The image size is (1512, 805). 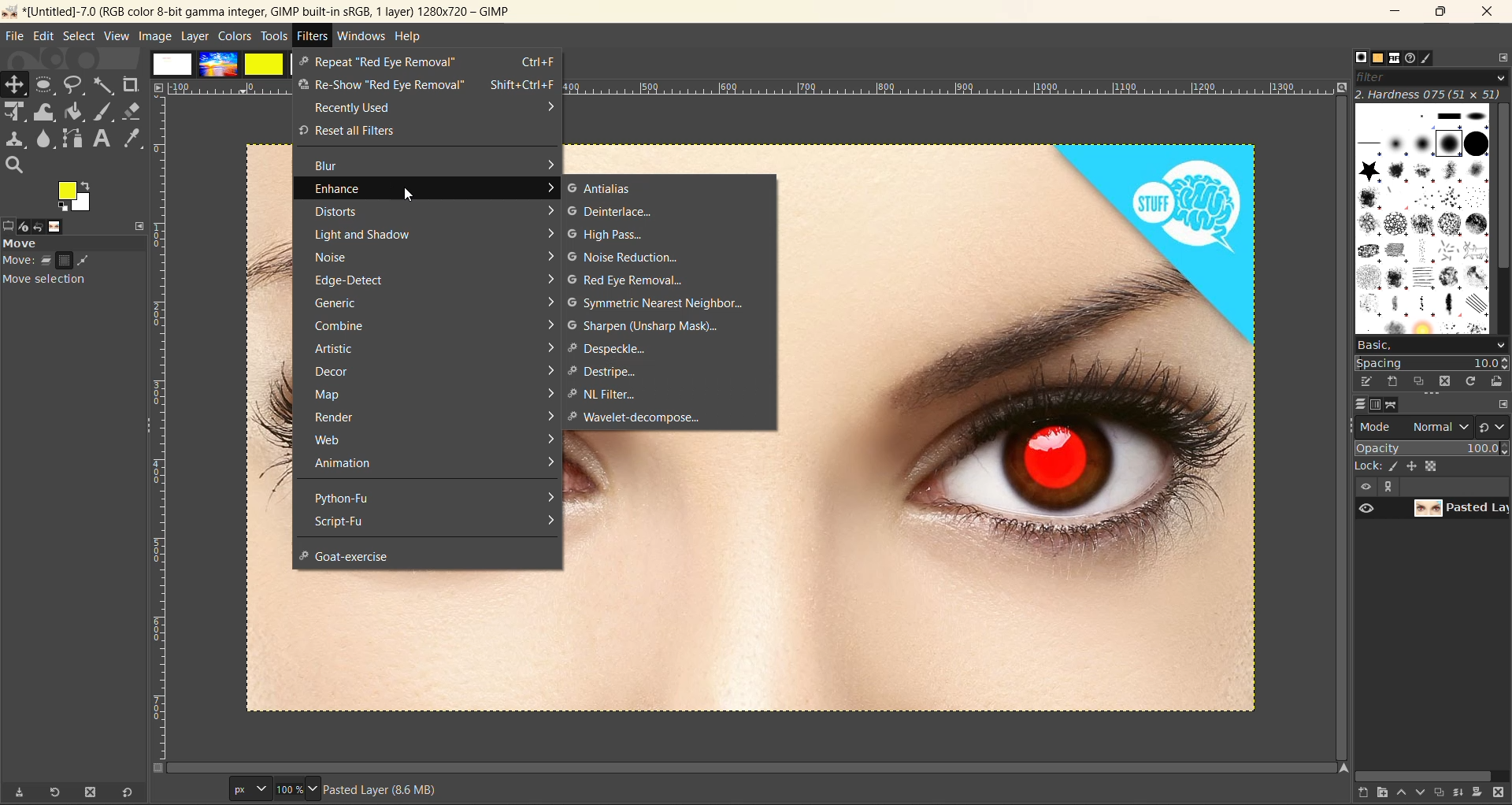 I want to click on create a new brush, so click(x=1392, y=381).